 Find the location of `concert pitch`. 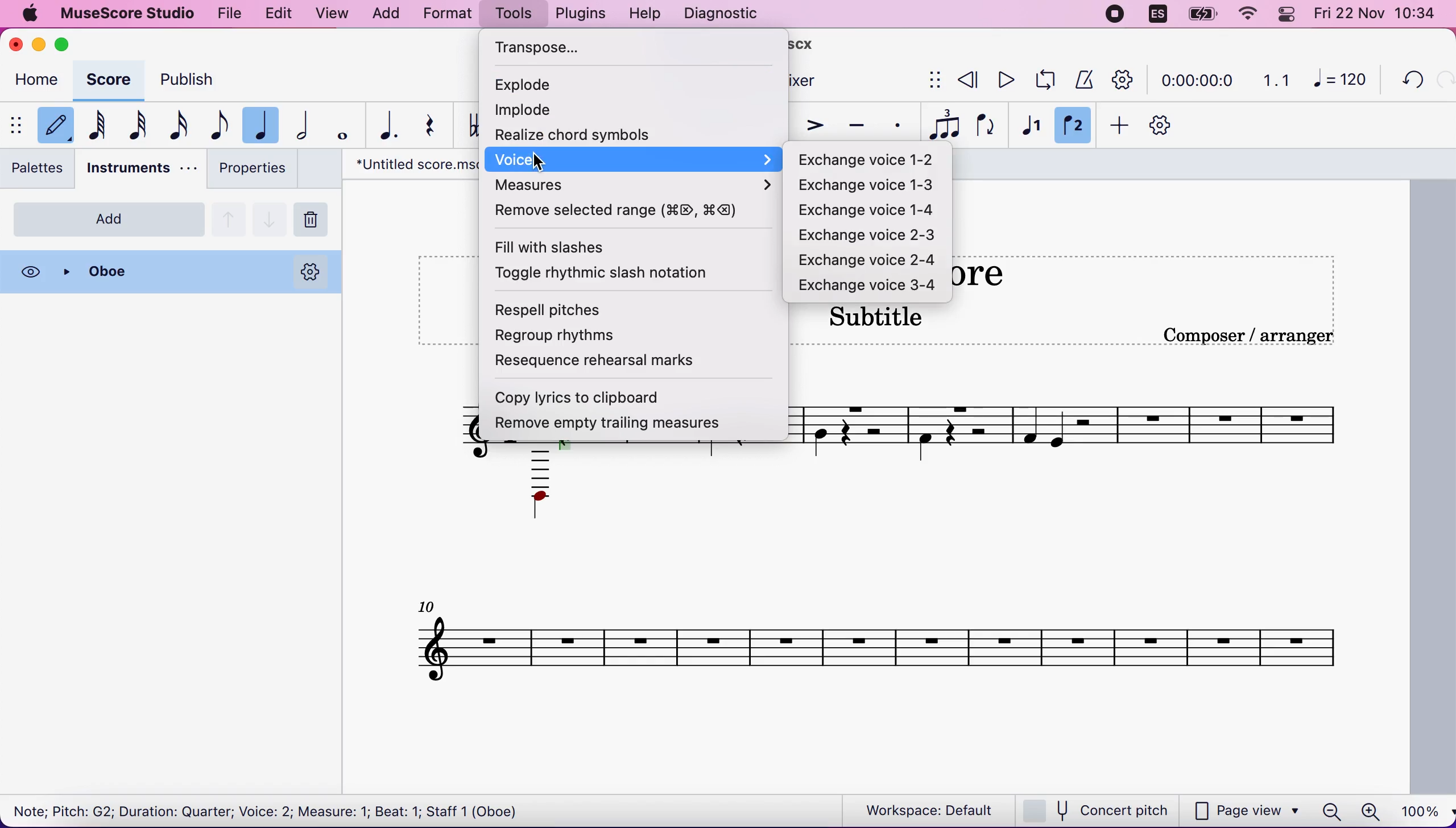

concert pitch is located at coordinates (1098, 809).